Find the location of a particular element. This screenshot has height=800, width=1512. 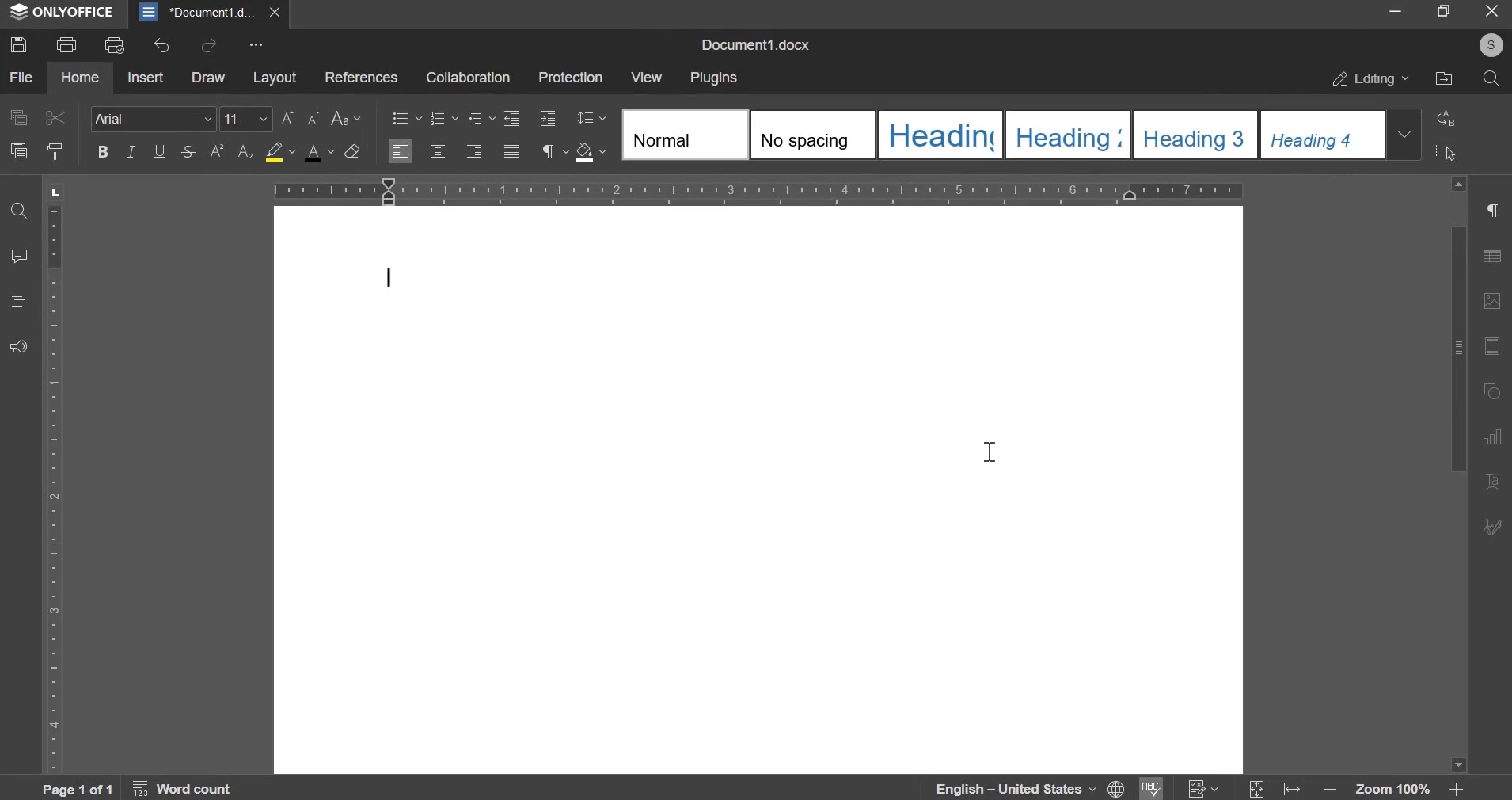

Spelling checker is located at coordinates (1150, 788).